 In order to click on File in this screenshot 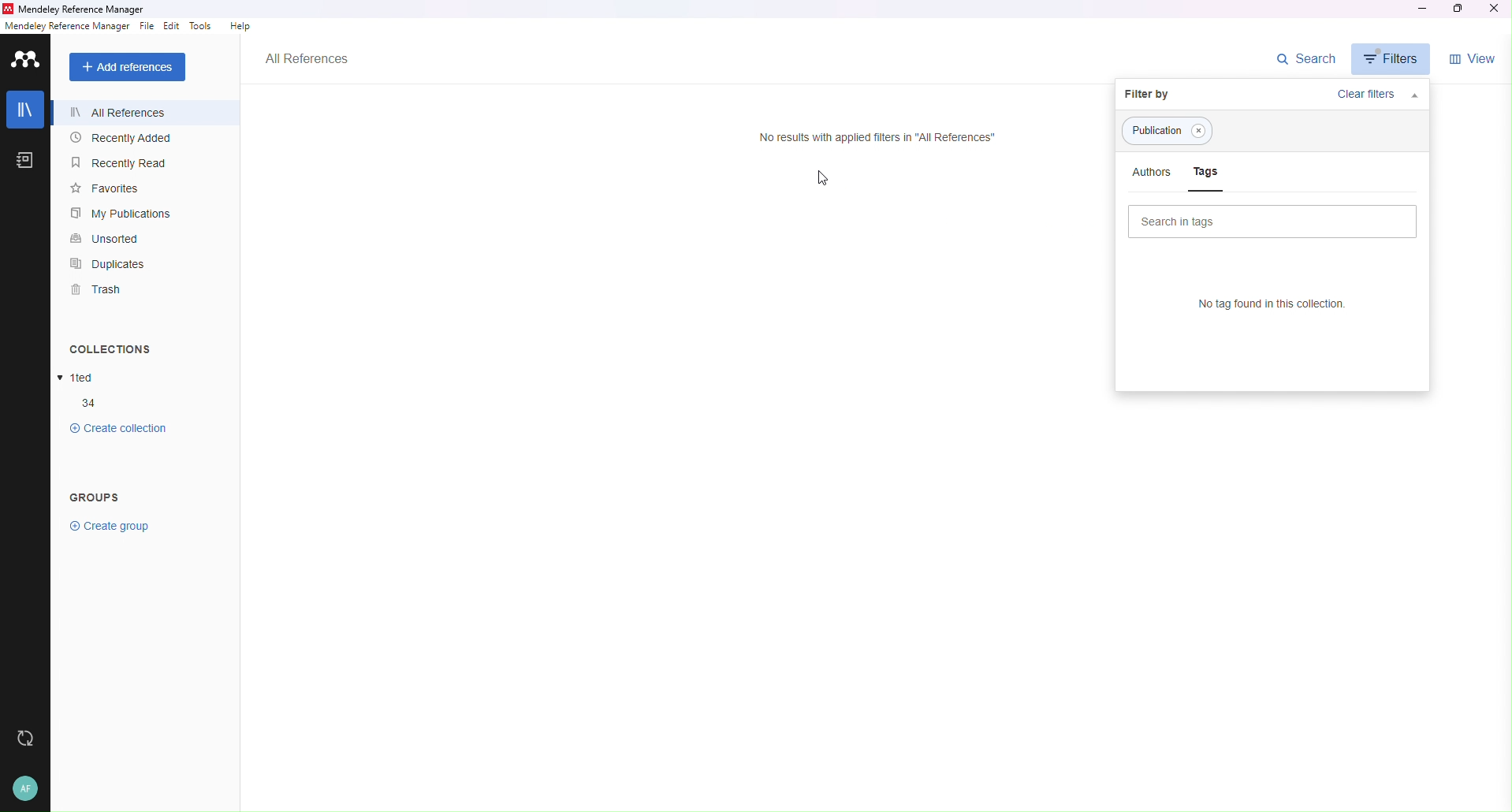, I will do `click(147, 26)`.